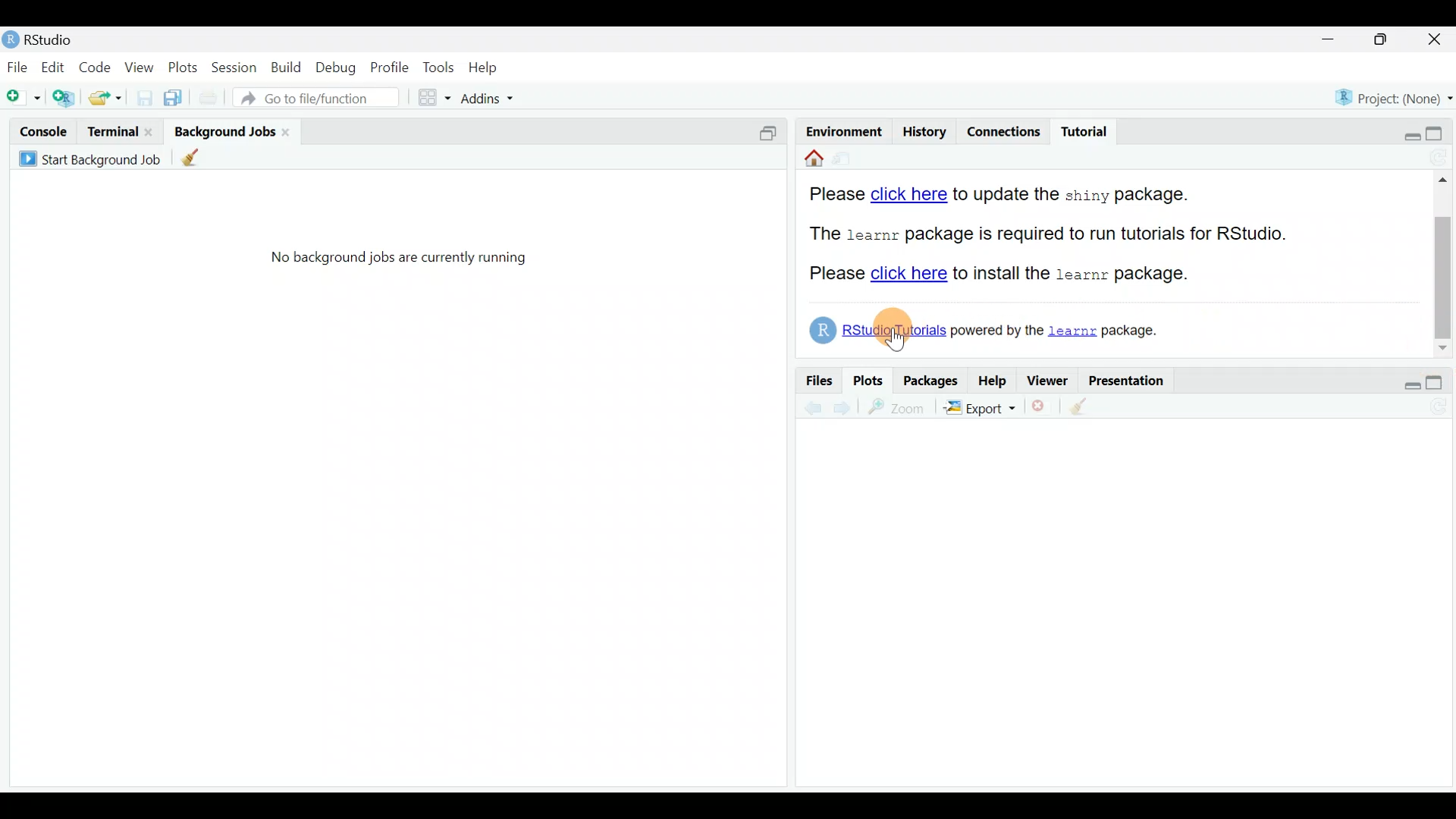  What do you see at coordinates (997, 331) in the screenshot?
I see `powered by the` at bounding box center [997, 331].